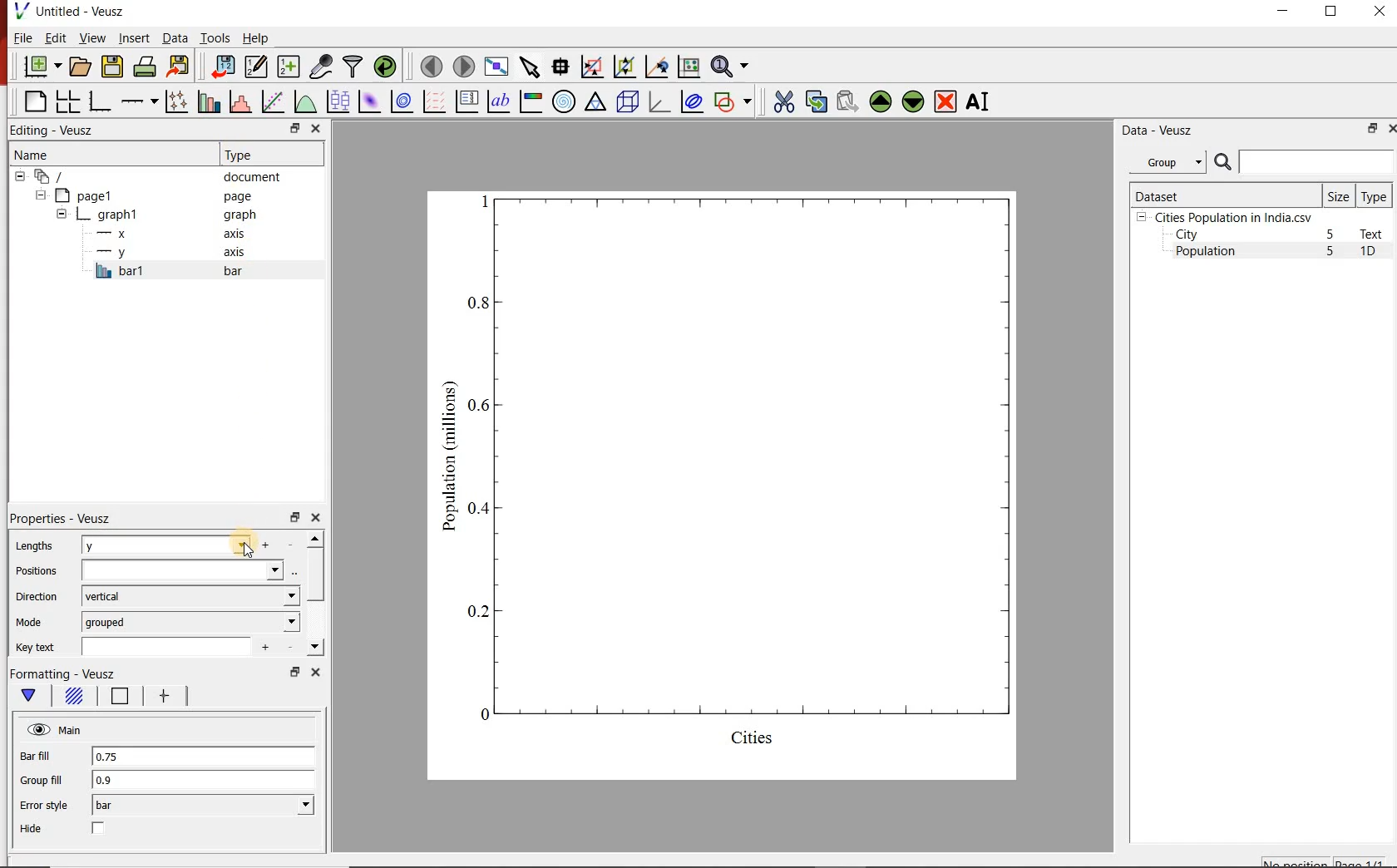  What do you see at coordinates (1375, 234) in the screenshot?
I see `Text` at bounding box center [1375, 234].